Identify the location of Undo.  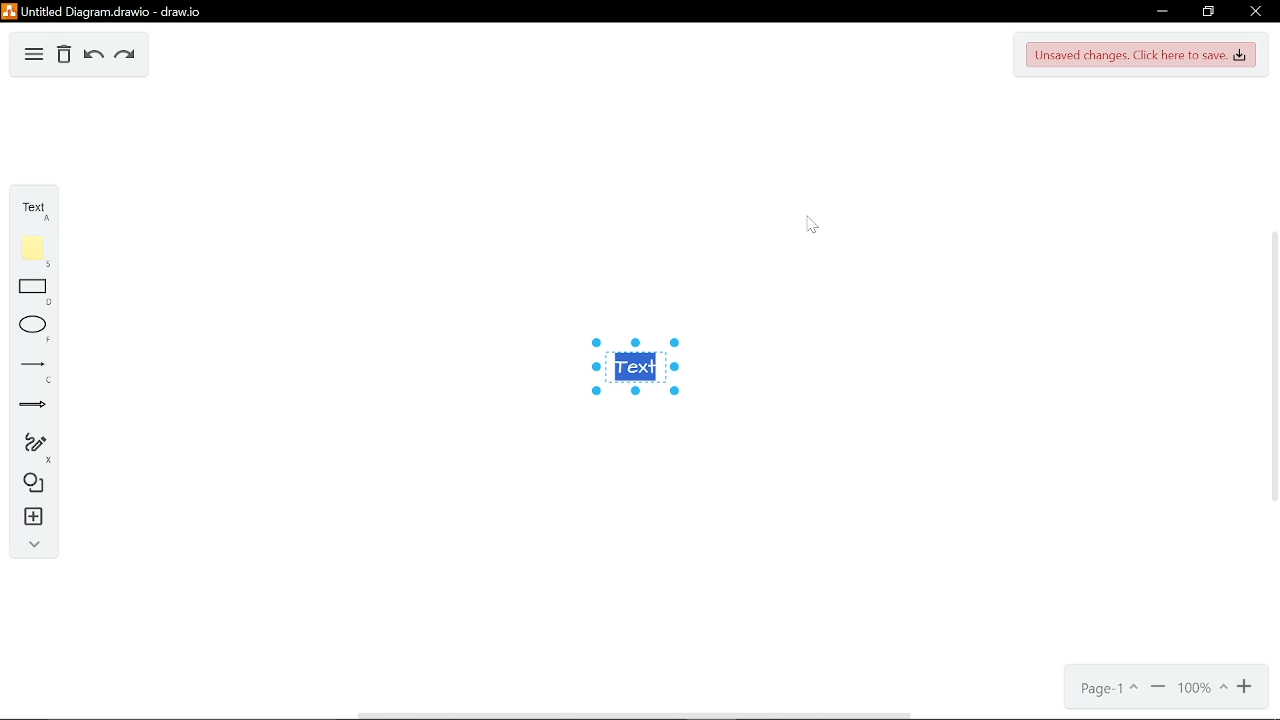
(93, 56).